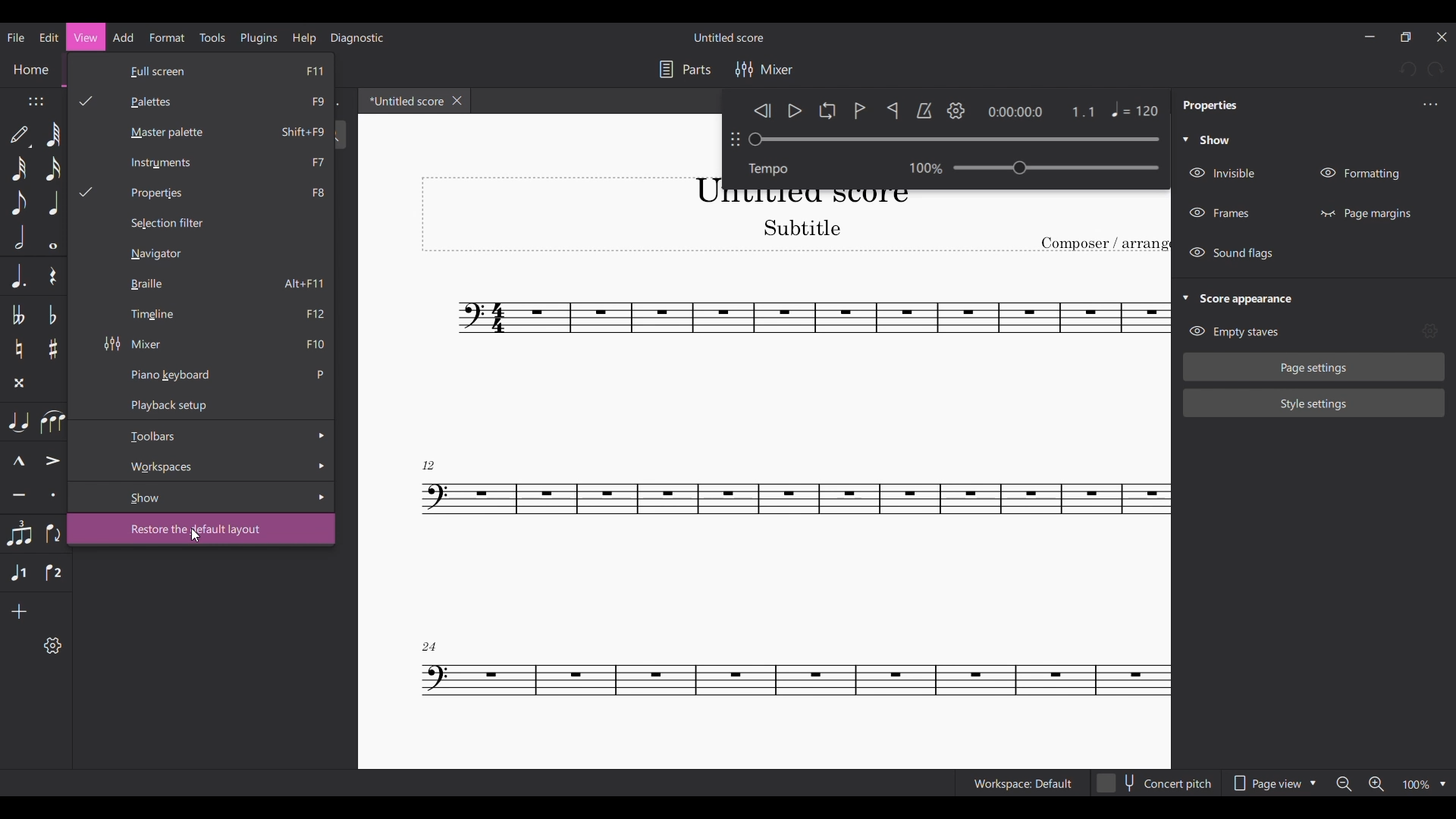 Image resolution: width=1456 pixels, height=819 pixels. I want to click on Concert pitch, so click(1155, 783).